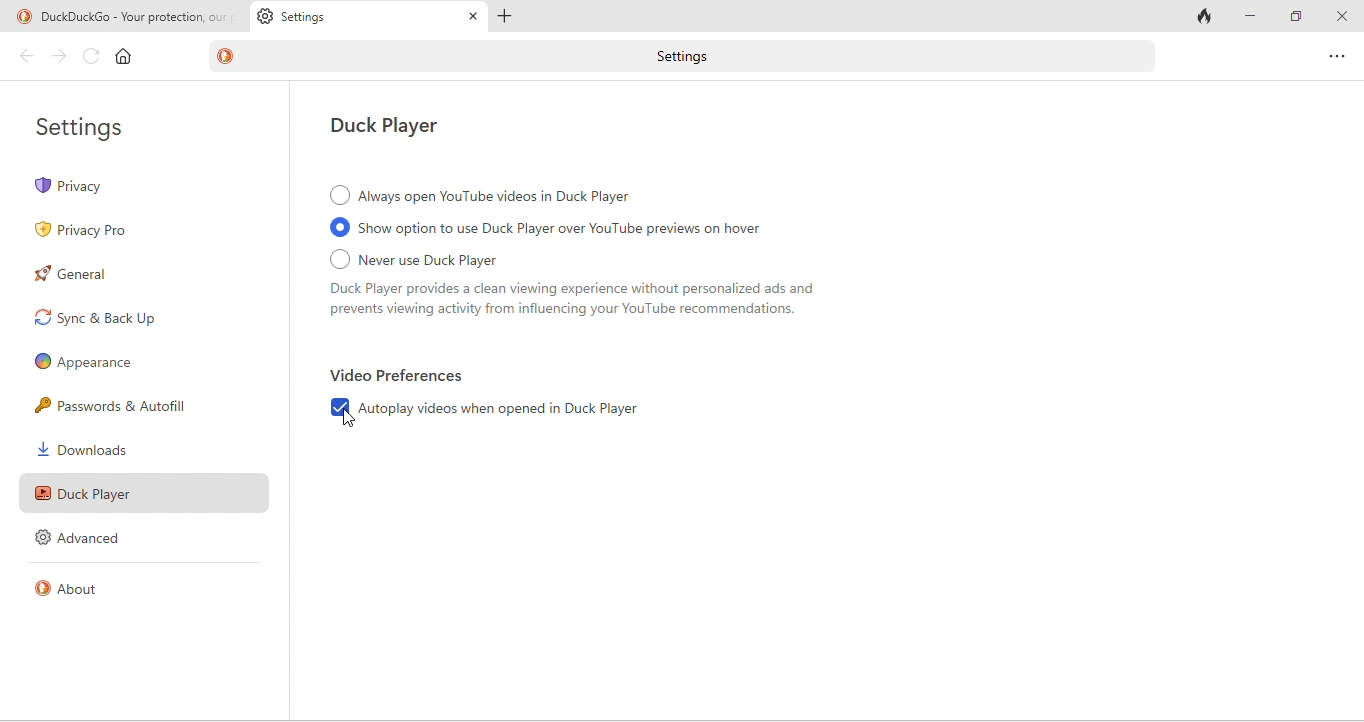 The height and width of the screenshot is (722, 1364). I want to click on clear cache and all data, so click(1206, 16).